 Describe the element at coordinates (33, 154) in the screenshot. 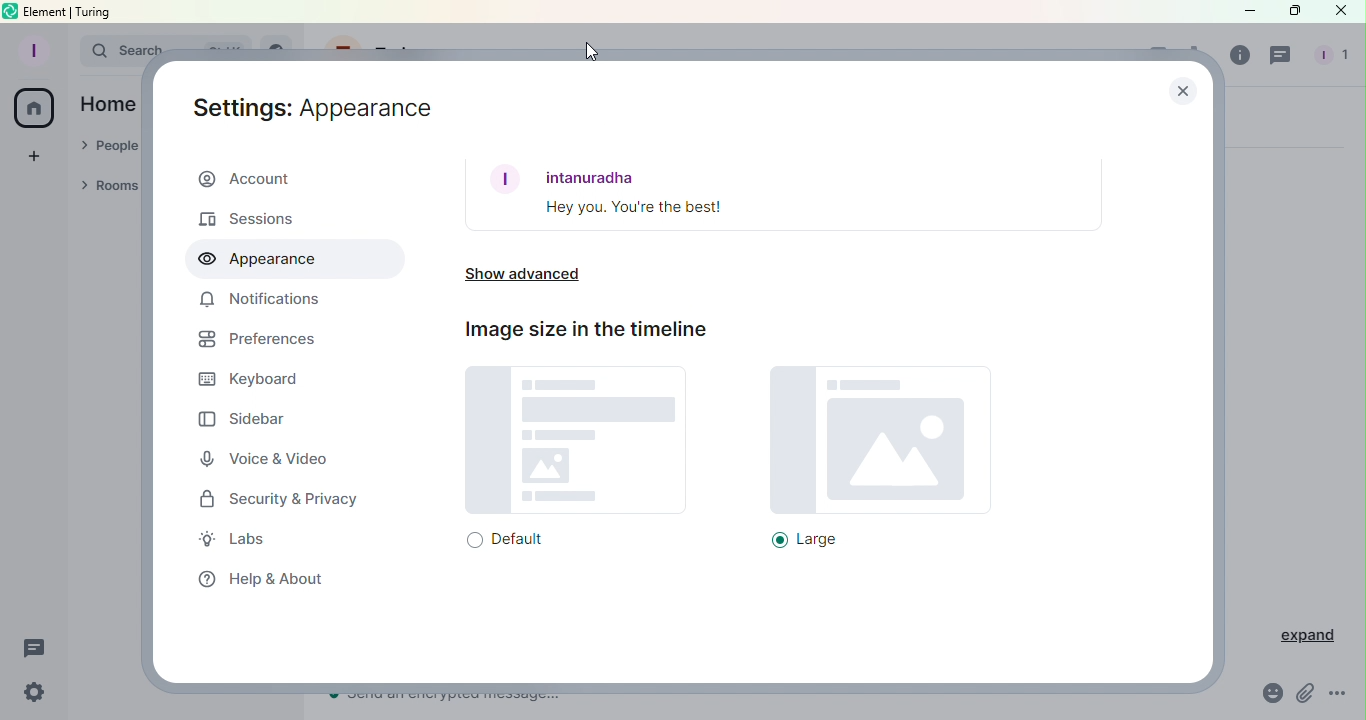

I see `Create a space` at that location.